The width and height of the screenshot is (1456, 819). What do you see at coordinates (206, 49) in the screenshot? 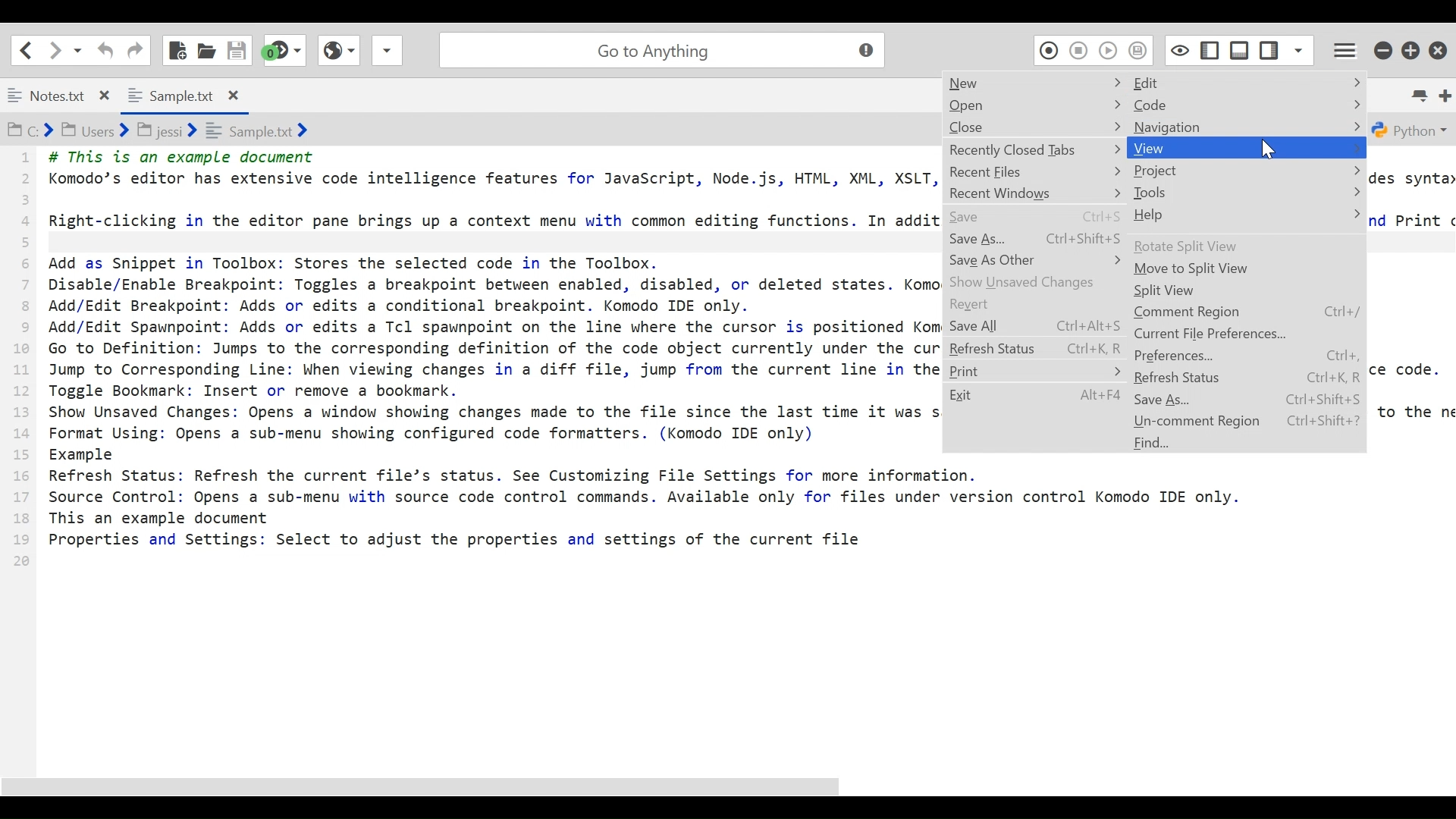
I see `Open File` at bounding box center [206, 49].